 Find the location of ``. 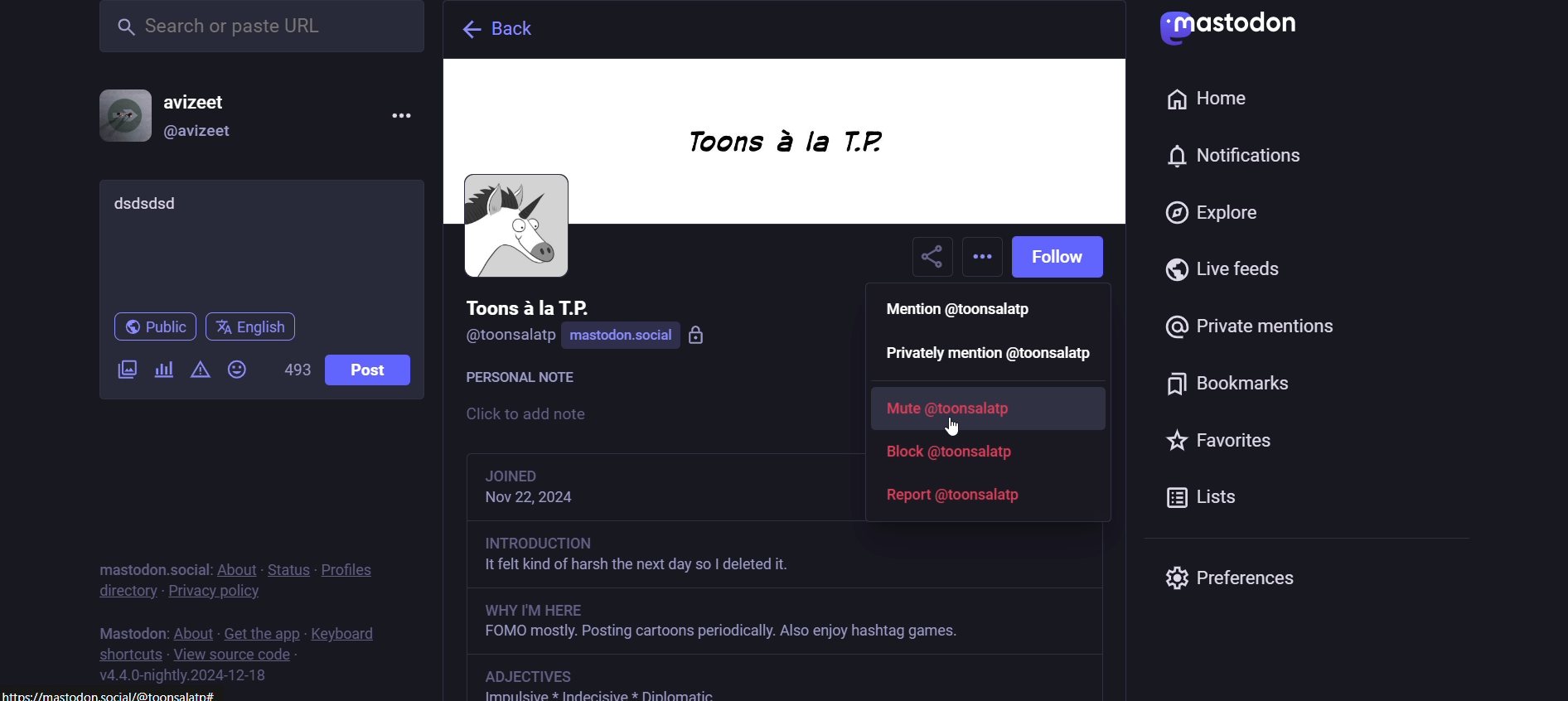

 is located at coordinates (960, 426).